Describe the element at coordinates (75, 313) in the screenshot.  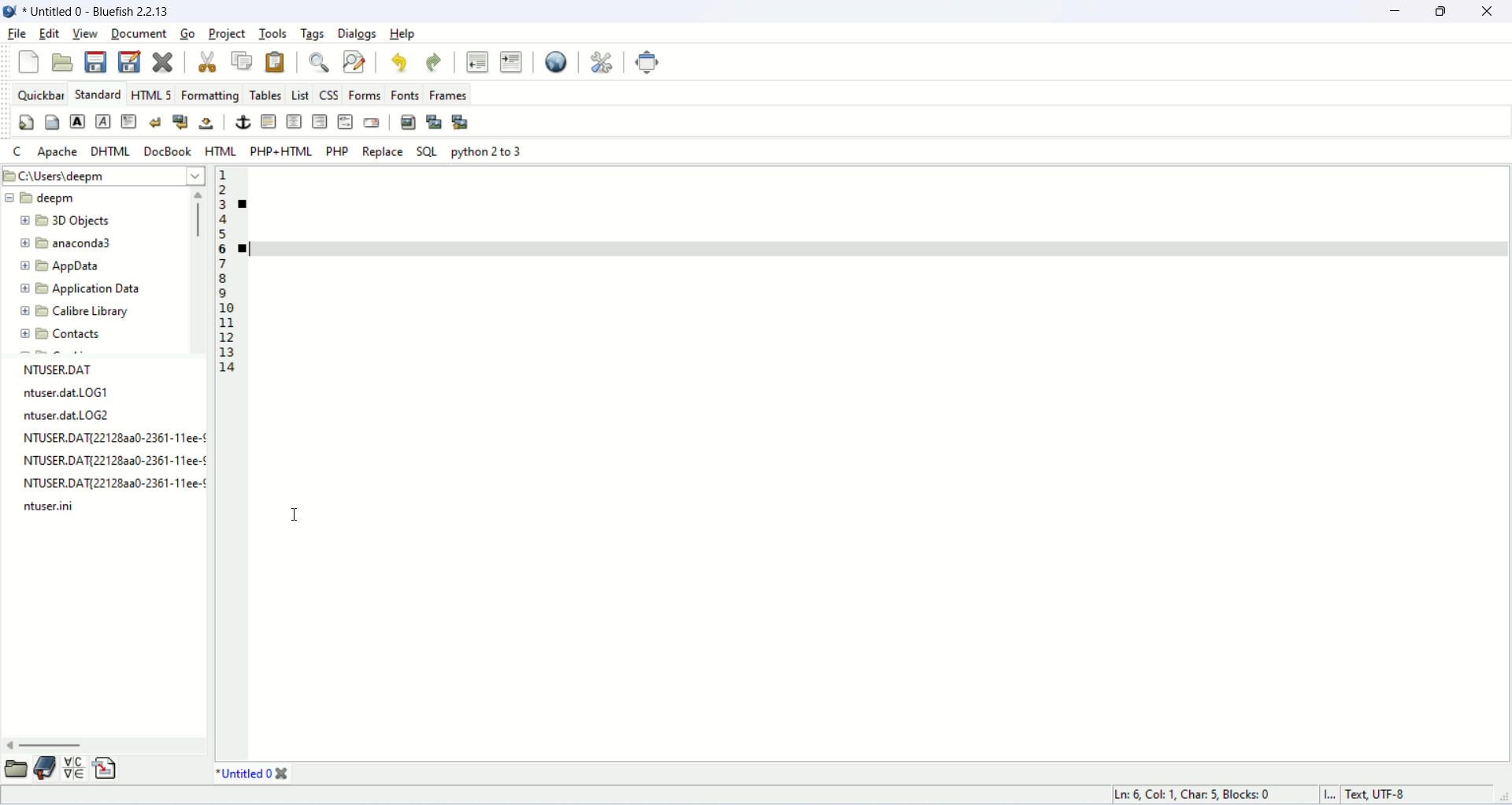
I see `folder name` at that location.